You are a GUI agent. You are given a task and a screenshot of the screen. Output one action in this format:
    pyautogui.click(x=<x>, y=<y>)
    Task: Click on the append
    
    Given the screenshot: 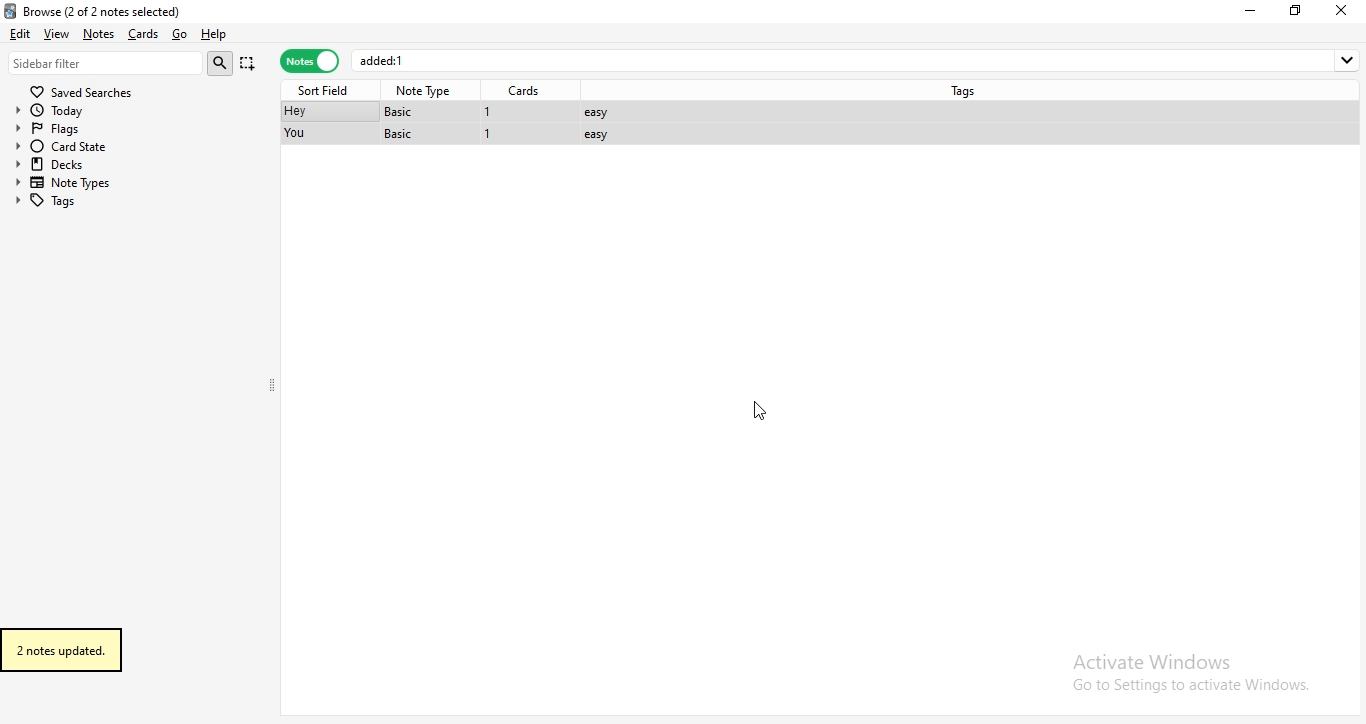 What is the action you would take?
    pyautogui.click(x=249, y=65)
    